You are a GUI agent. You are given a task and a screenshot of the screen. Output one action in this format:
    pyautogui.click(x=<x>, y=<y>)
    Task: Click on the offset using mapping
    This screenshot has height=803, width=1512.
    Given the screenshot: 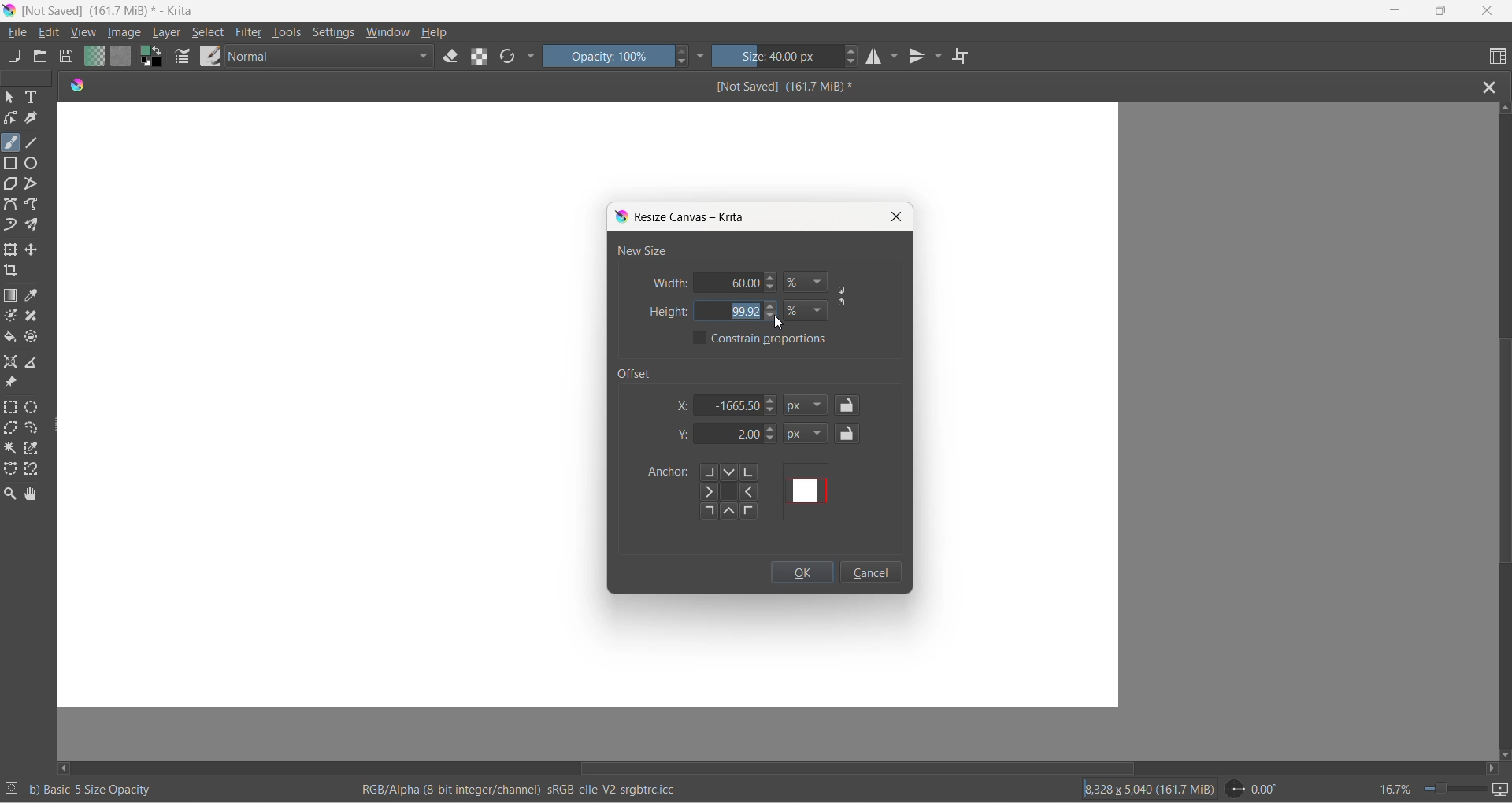 What is the action you would take?
    pyautogui.click(x=807, y=491)
    